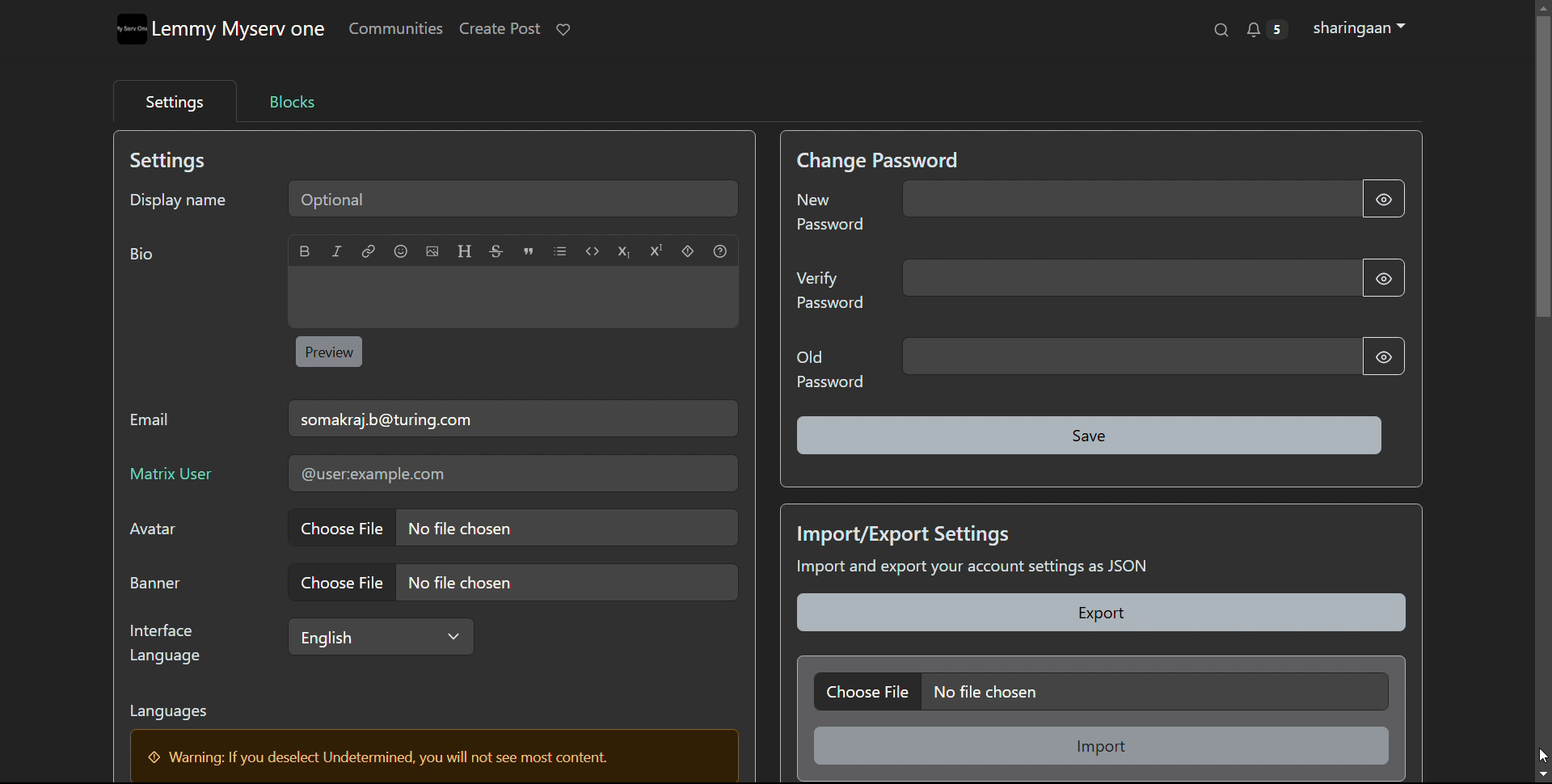  Describe the element at coordinates (624, 252) in the screenshot. I see `subscript` at that location.